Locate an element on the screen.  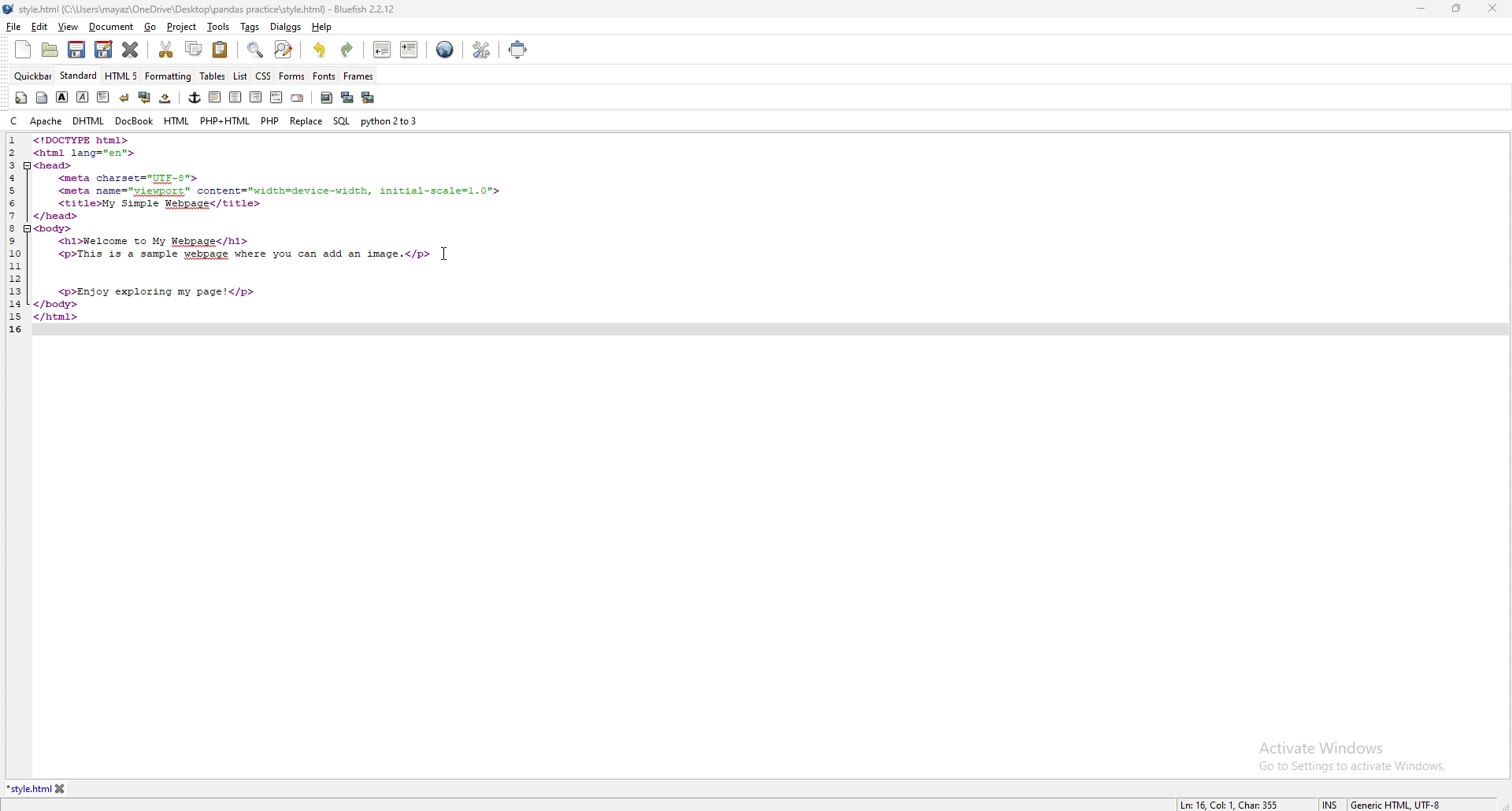
open is located at coordinates (50, 50).